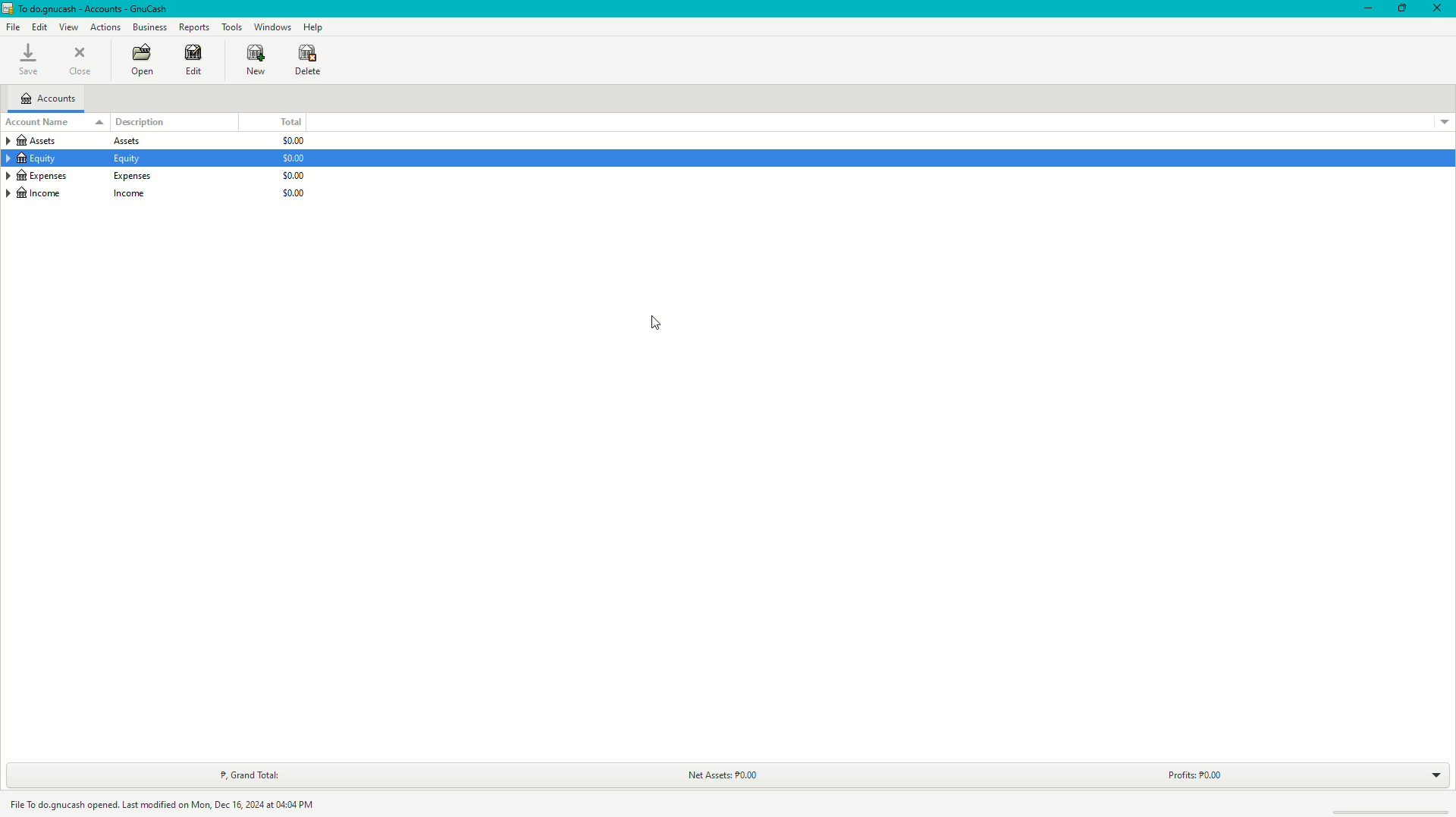 The image size is (1456, 817). Describe the element at coordinates (316, 27) in the screenshot. I see `Help` at that location.